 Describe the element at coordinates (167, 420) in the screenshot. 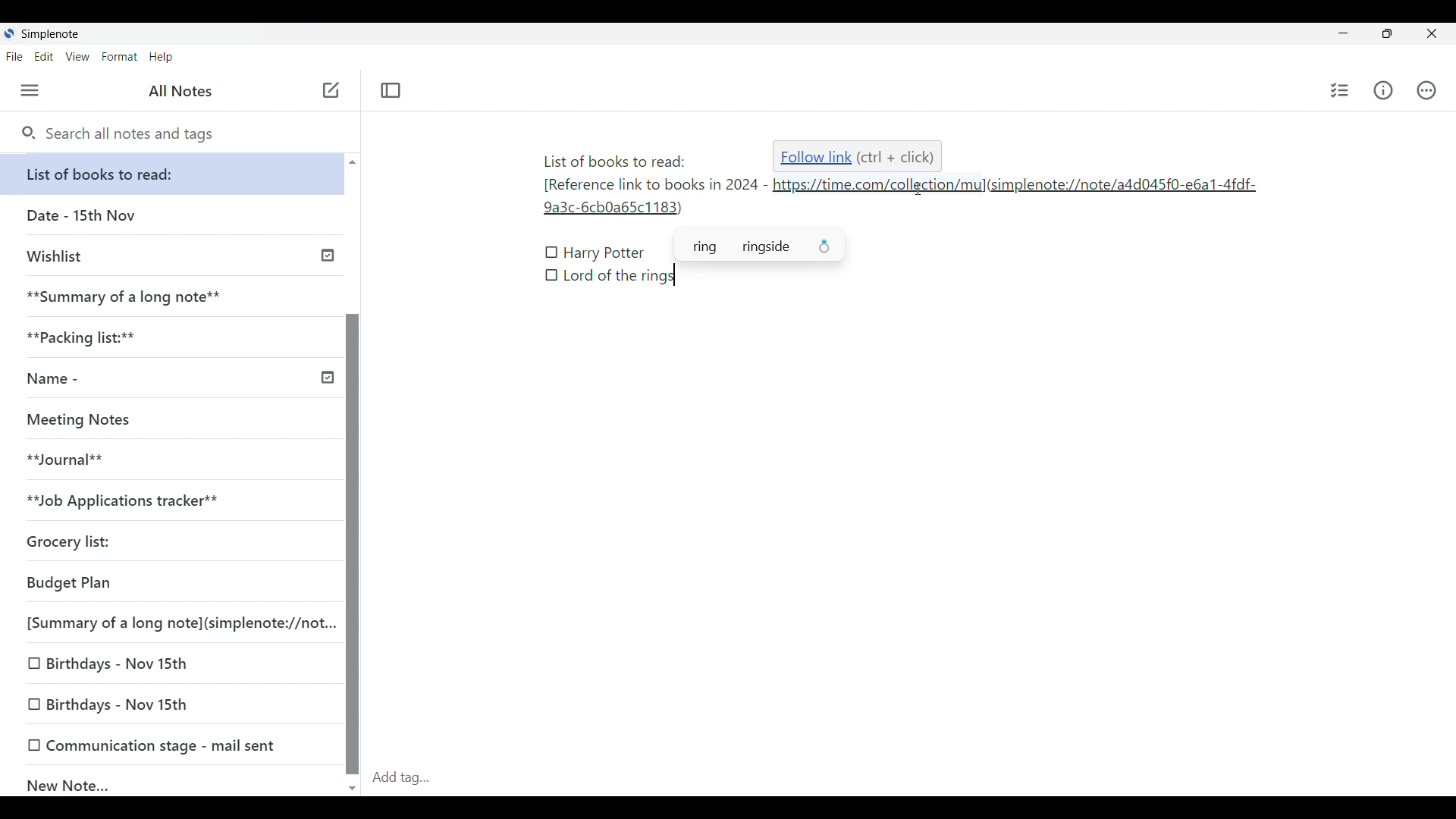

I see `Meeting Notes` at that location.